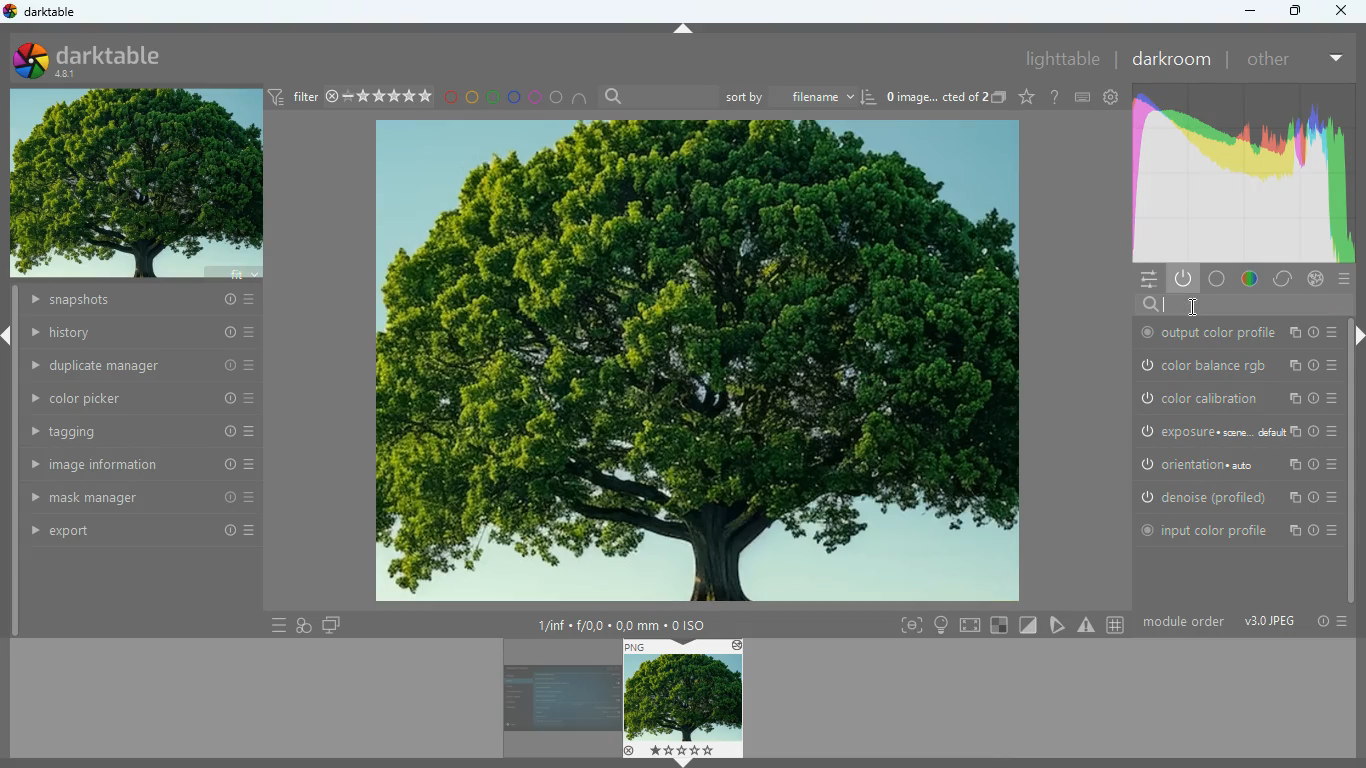 The image size is (1366, 768). Describe the element at coordinates (943, 624) in the screenshot. I see `light` at that location.